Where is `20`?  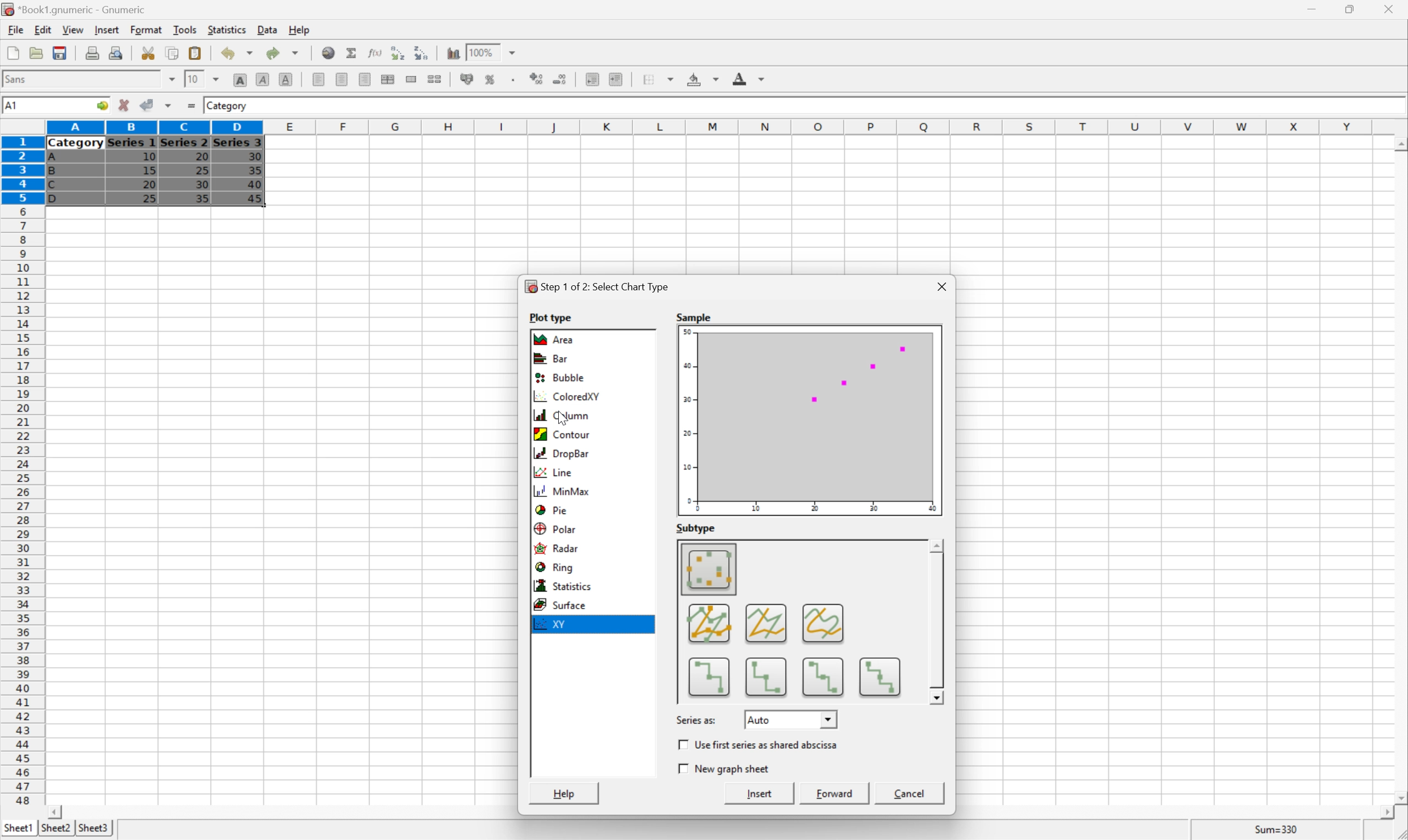
20 is located at coordinates (200, 155).